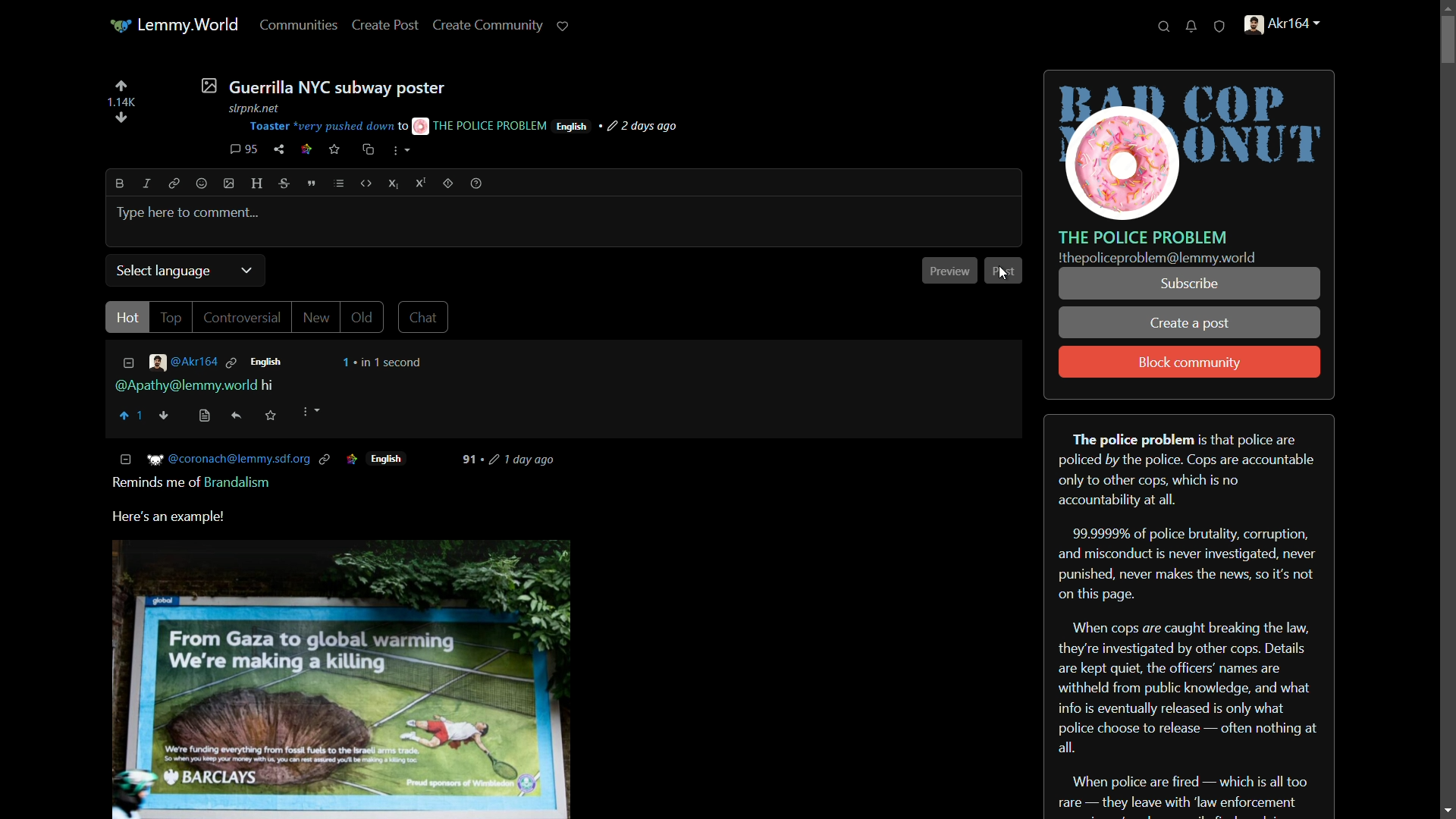 This screenshot has width=1456, height=819. Describe the element at coordinates (269, 416) in the screenshot. I see `saved` at that location.